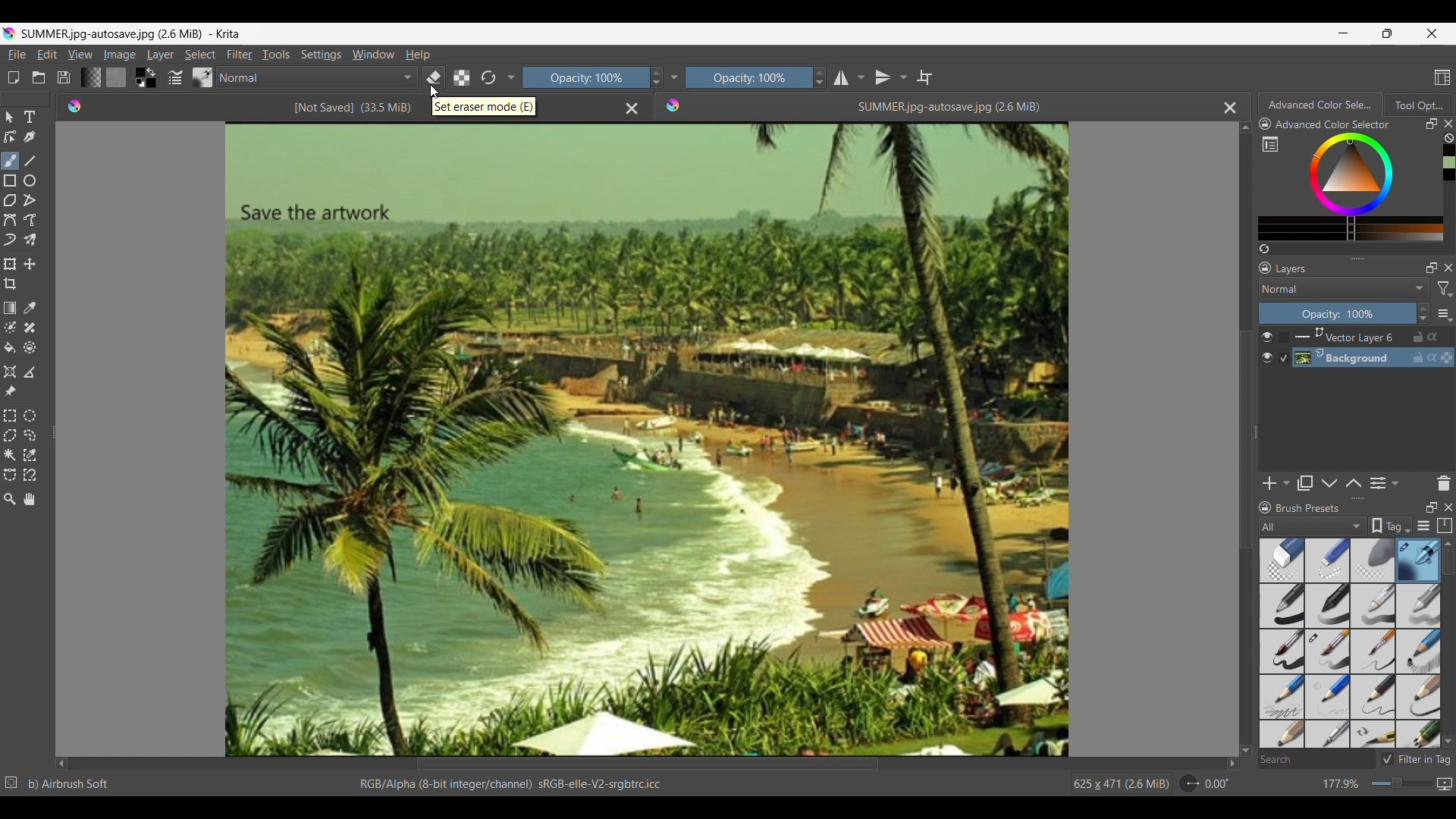 The width and height of the screenshot is (1456, 819). I want to click on Set eraser mode (E), so click(485, 106).